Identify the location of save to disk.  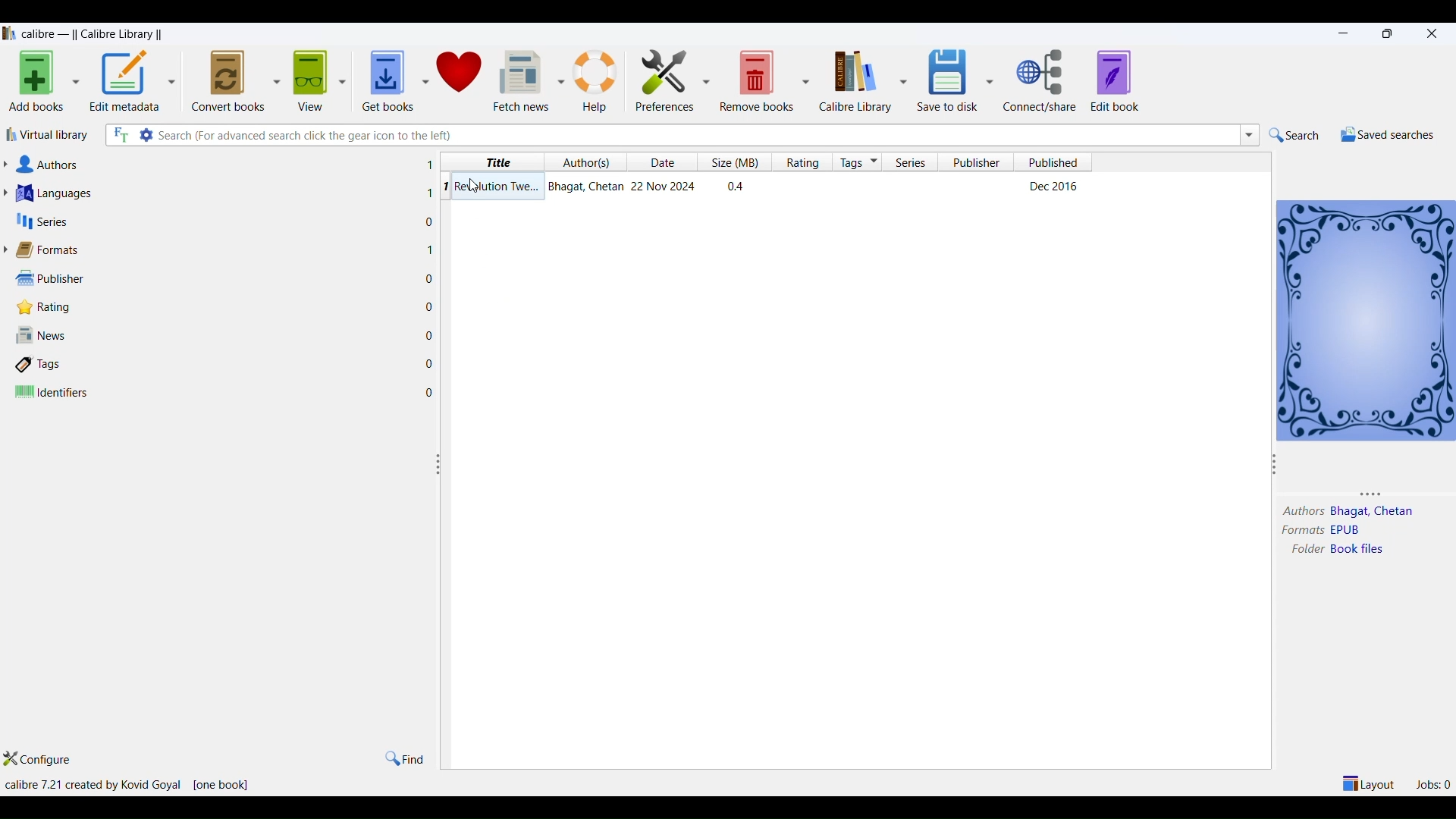
(946, 77).